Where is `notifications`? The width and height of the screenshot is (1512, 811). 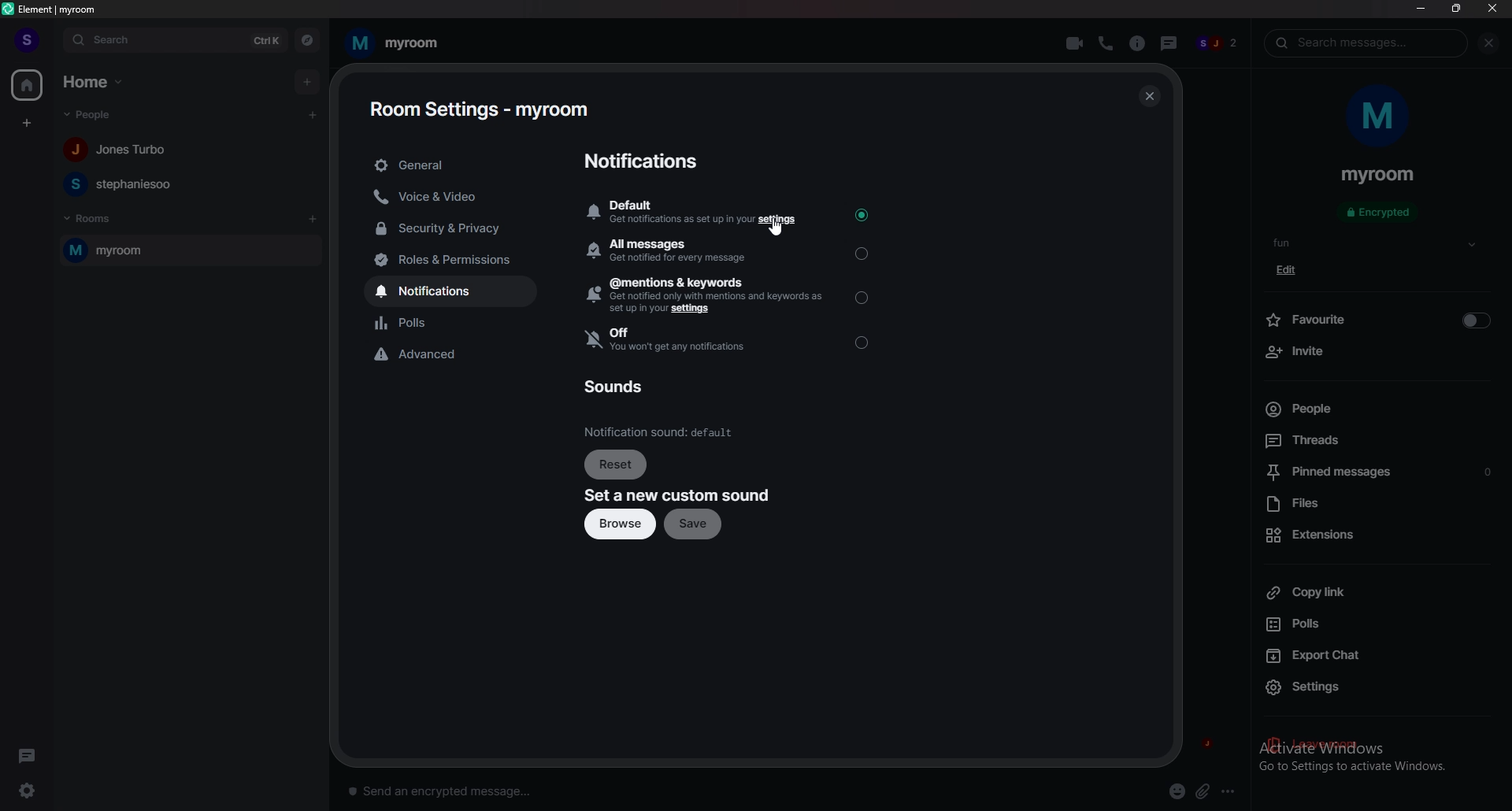
notifications is located at coordinates (461, 291).